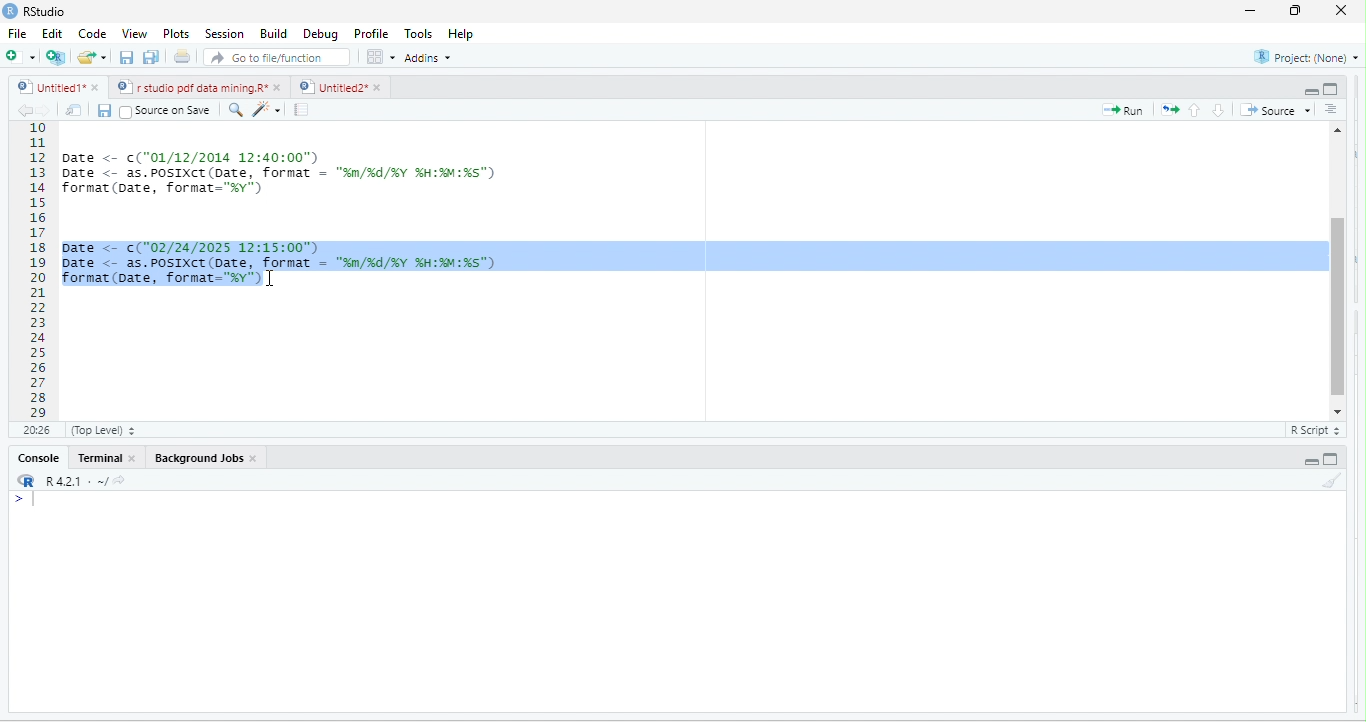  What do you see at coordinates (268, 110) in the screenshot?
I see `code tools` at bounding box center [268, 110].